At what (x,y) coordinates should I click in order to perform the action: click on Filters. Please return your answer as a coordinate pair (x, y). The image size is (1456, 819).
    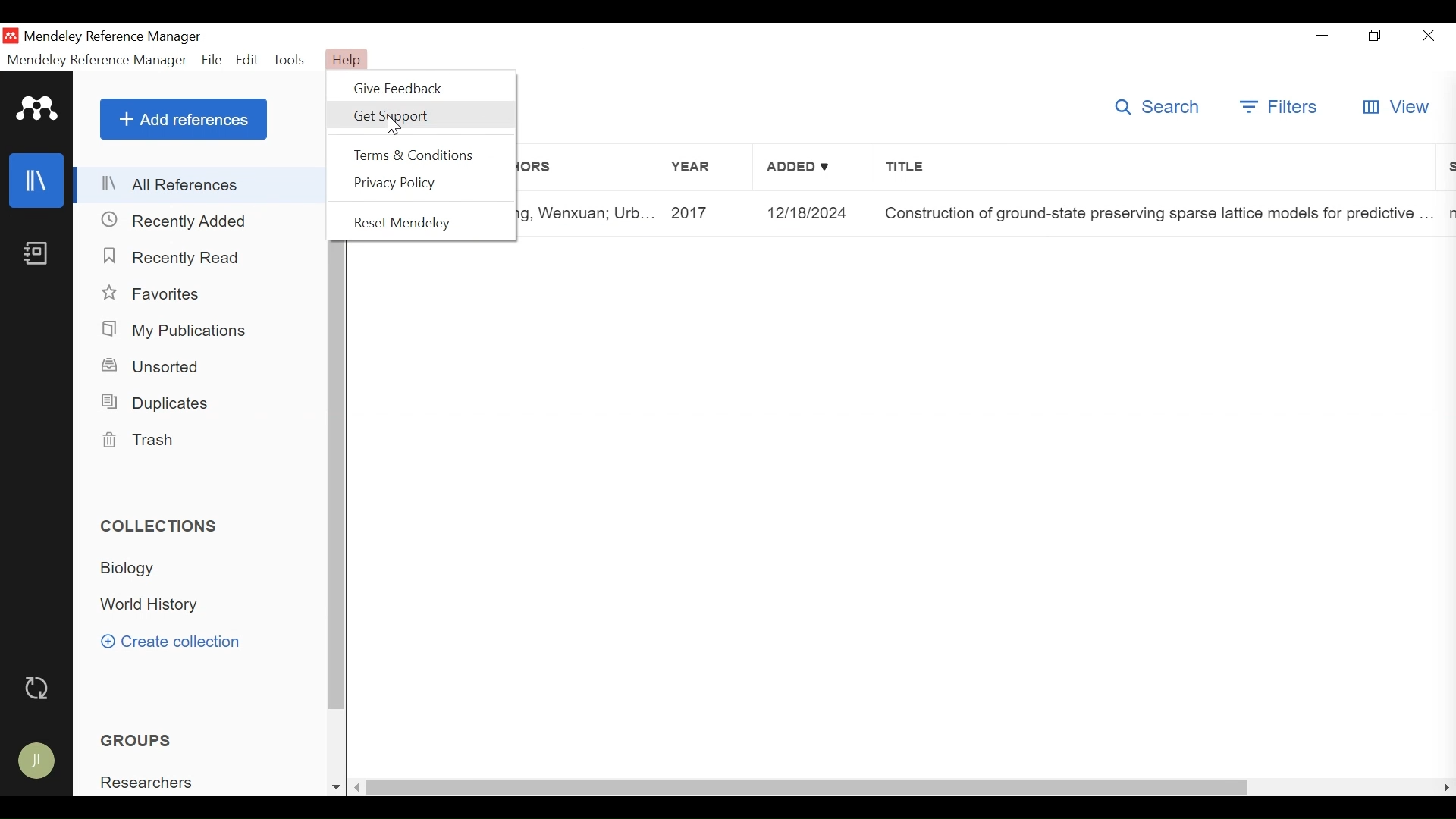
    Looking at the image, I should click on (1278, 107).